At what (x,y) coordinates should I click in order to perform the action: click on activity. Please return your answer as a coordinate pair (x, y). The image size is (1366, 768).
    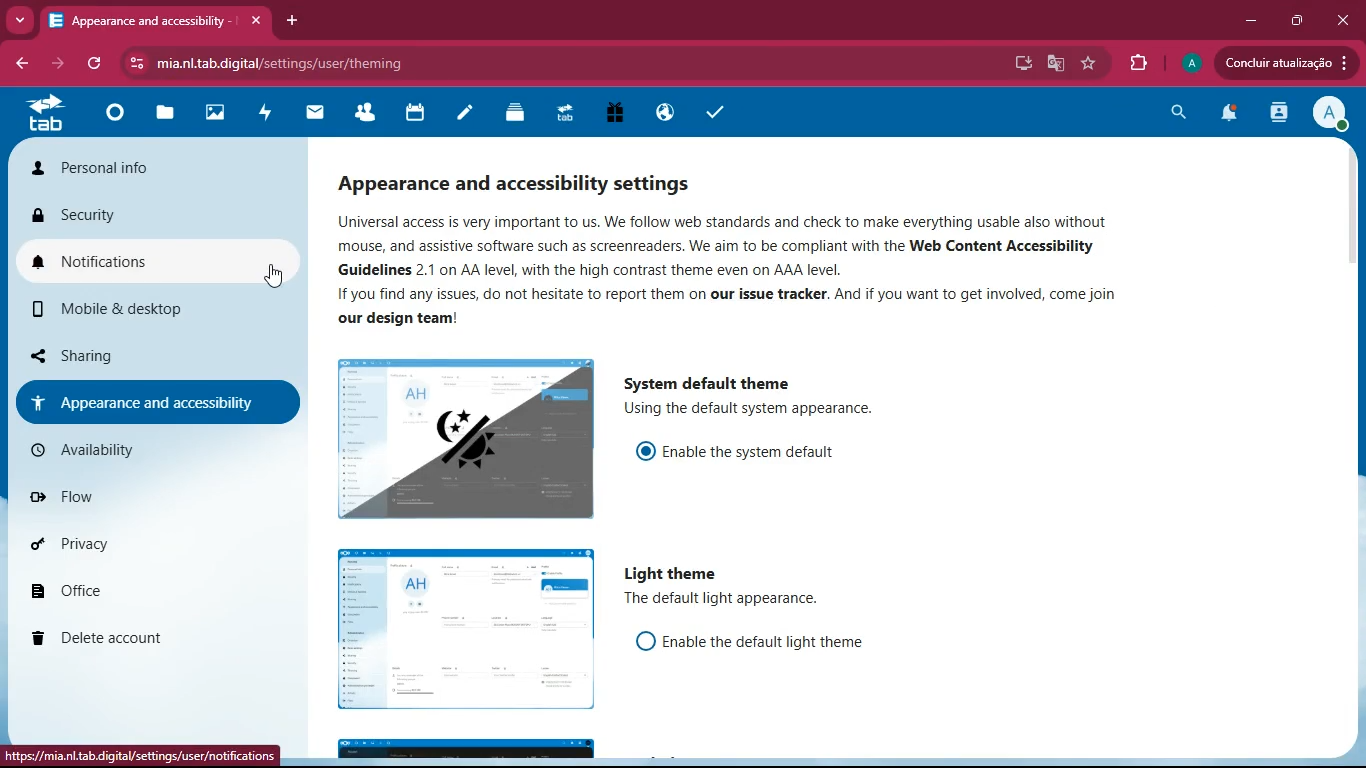
    Looking at the image, I should click on (1281, 114).